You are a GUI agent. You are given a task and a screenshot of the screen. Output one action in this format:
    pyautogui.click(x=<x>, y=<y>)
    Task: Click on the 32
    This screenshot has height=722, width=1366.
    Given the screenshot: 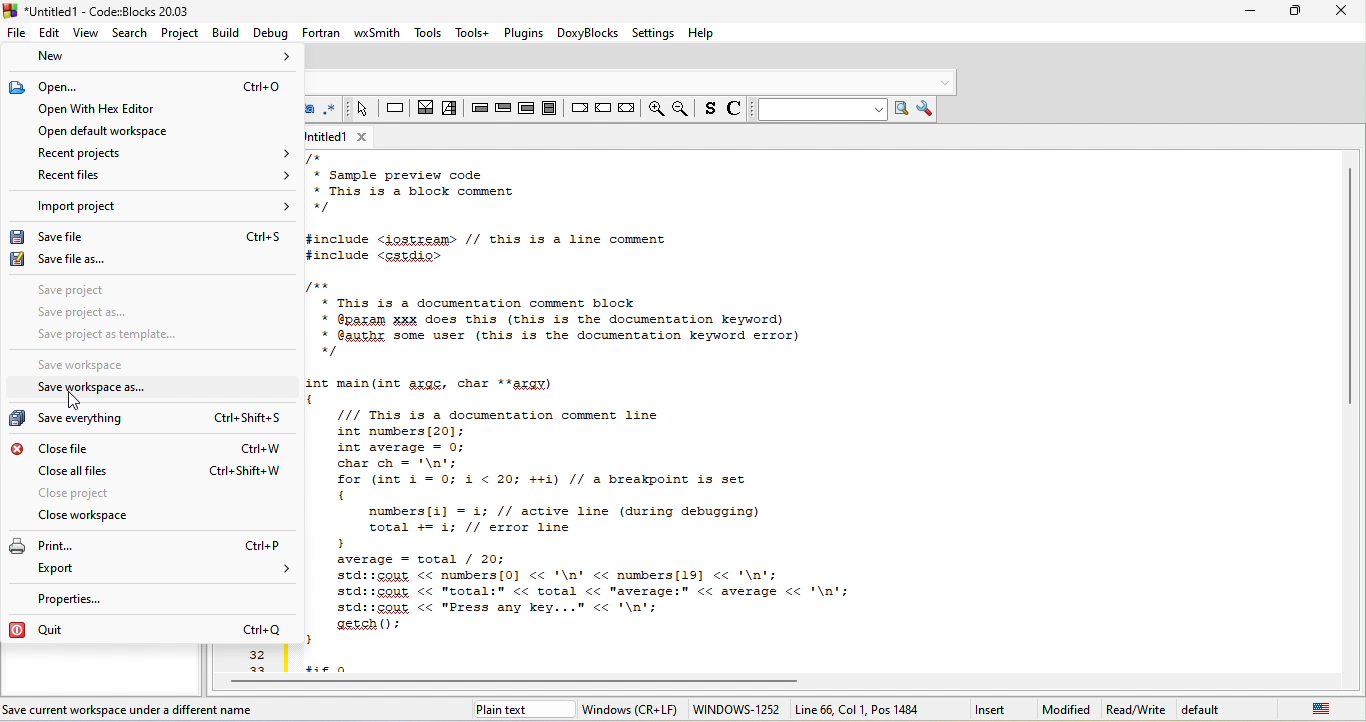 What is the action you would take?
    pyautogui.click(x=255, y=655)
    